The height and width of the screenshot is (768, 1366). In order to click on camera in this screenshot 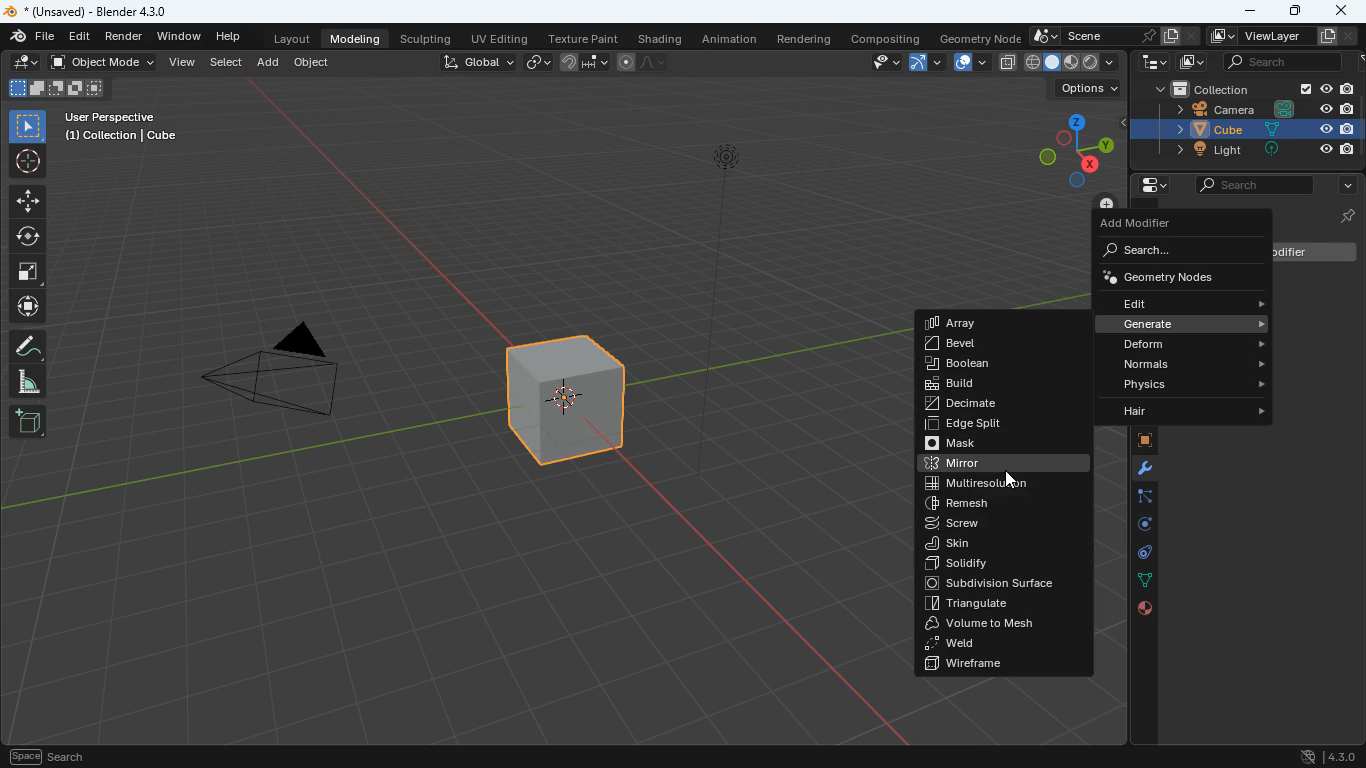, I will do `click(1251, 109)`.